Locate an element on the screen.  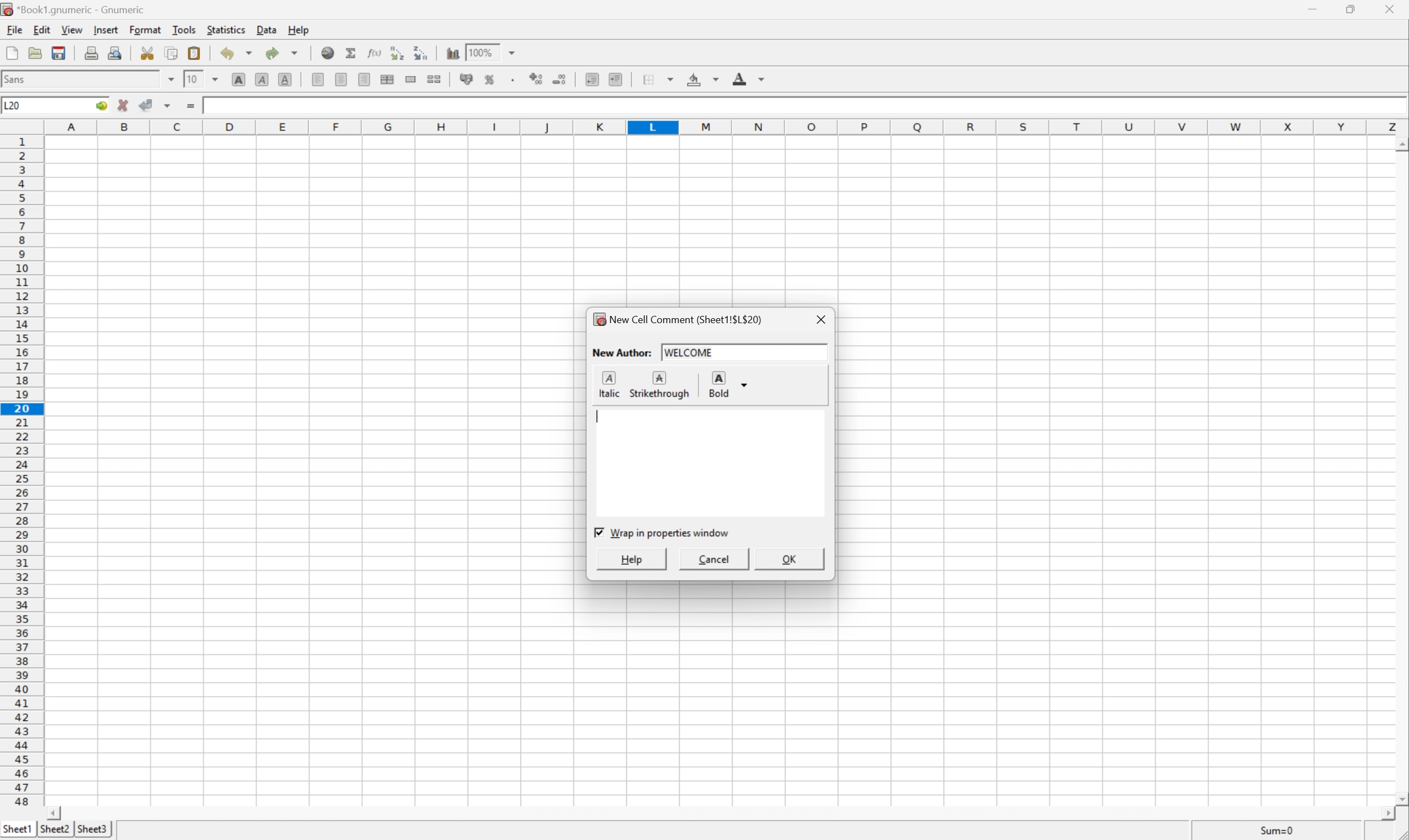
Minimize is located at coordinates (1315, 8).